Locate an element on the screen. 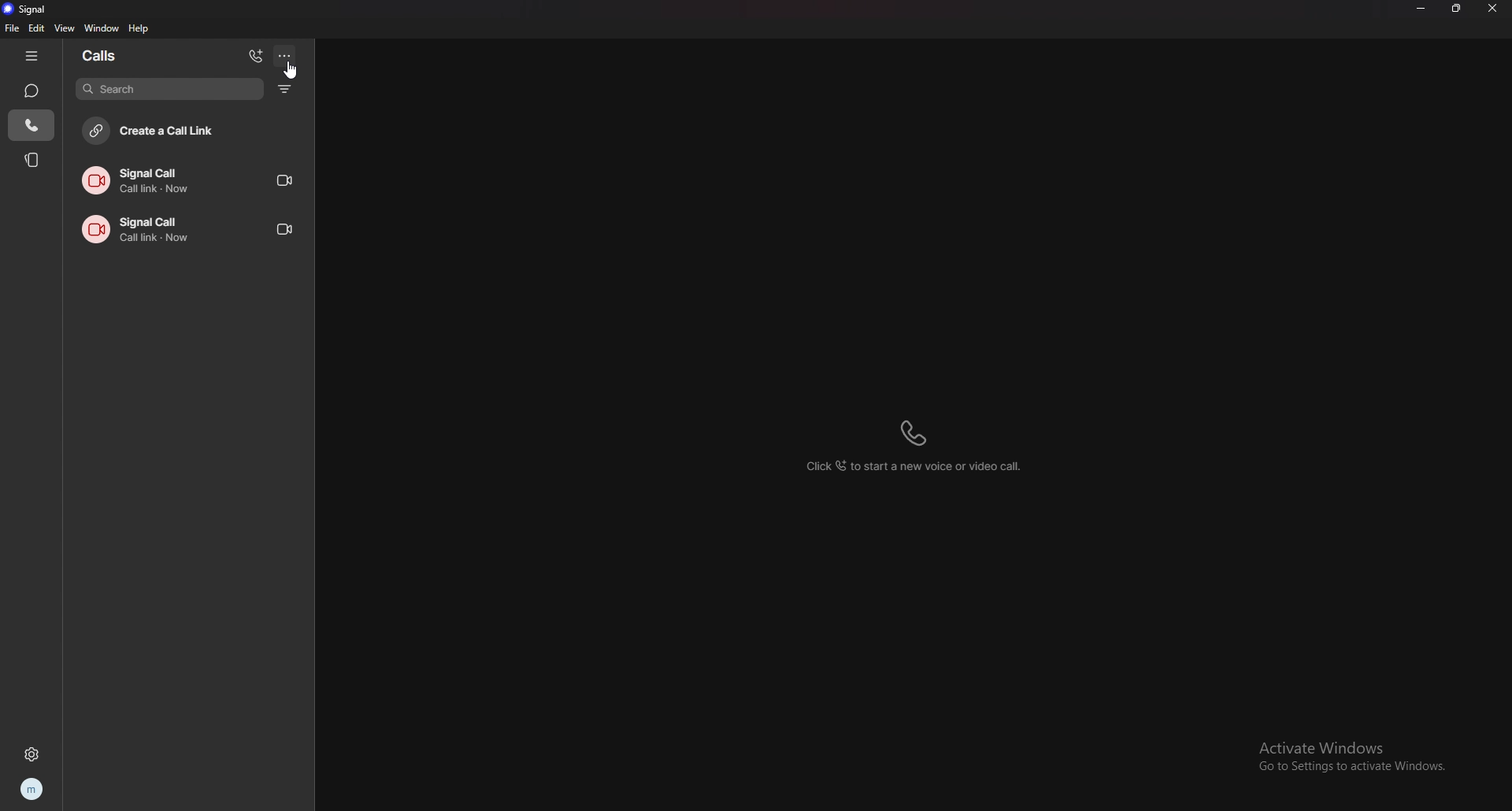 The height and width of the screenshot is (811, 1512). cursor is located at coordinates (291, 68).